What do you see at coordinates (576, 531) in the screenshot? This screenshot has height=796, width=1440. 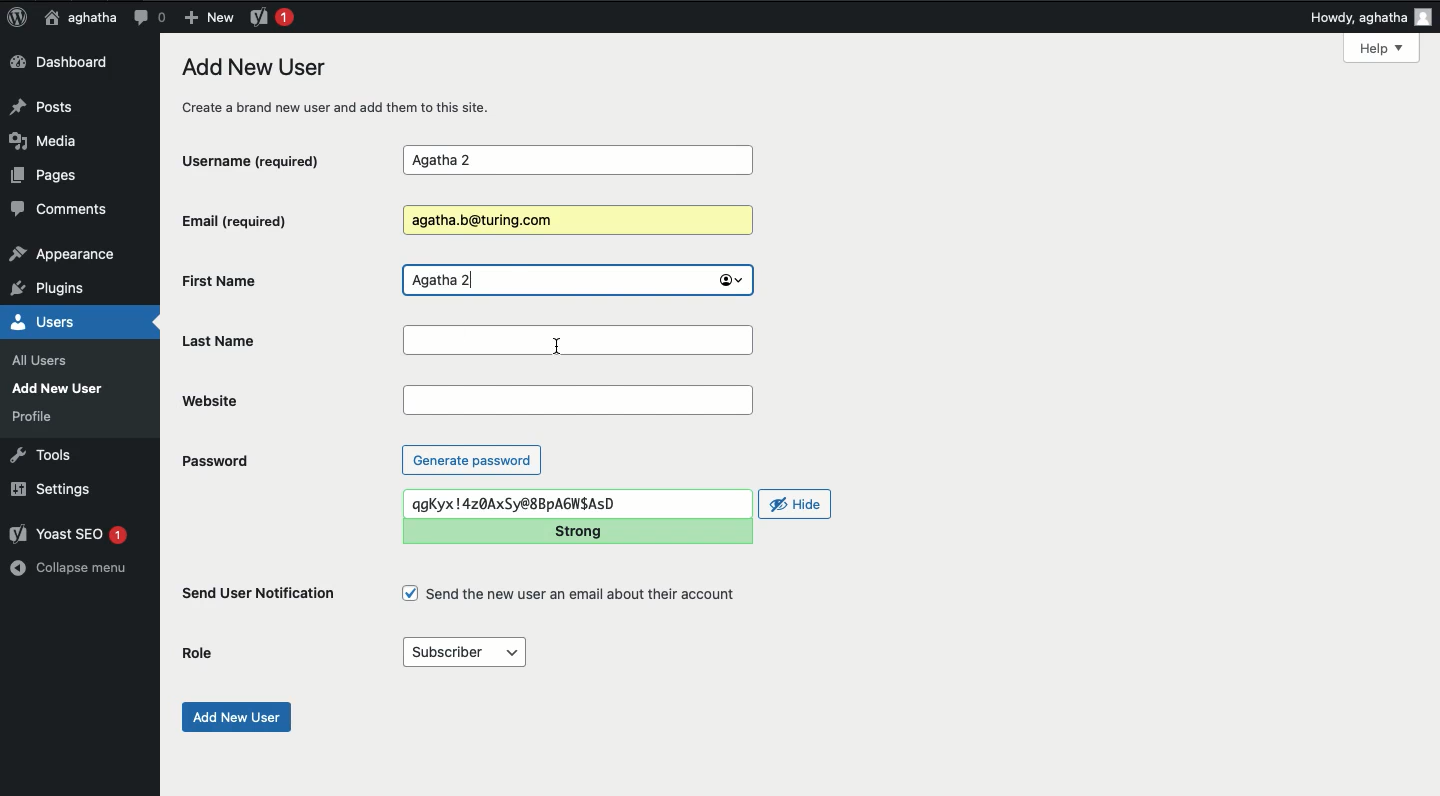 I see `Strong` at bounding box center [576, 531].